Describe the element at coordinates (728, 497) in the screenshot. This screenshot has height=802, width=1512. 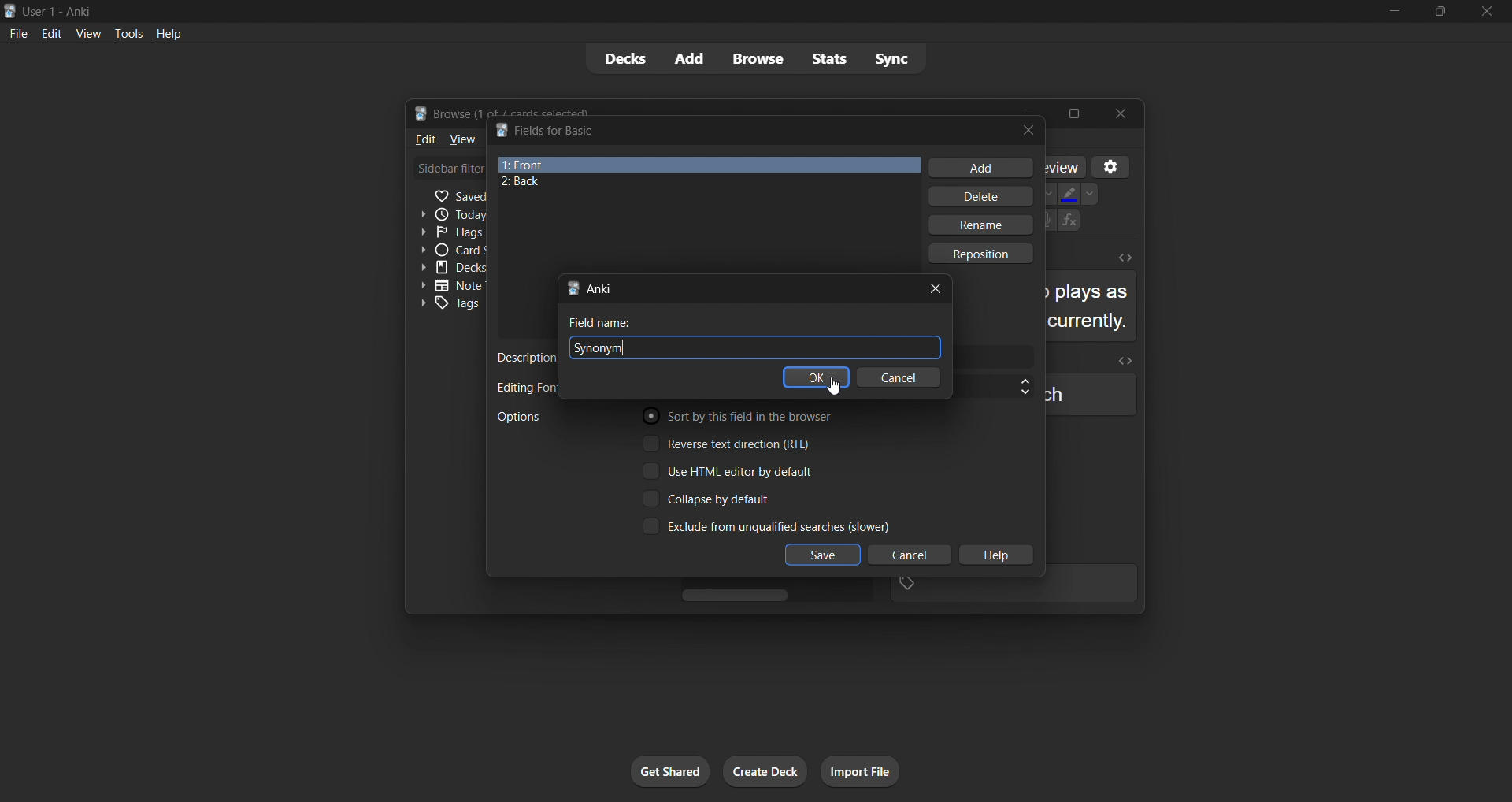
I see `Collapse by default` at that location.